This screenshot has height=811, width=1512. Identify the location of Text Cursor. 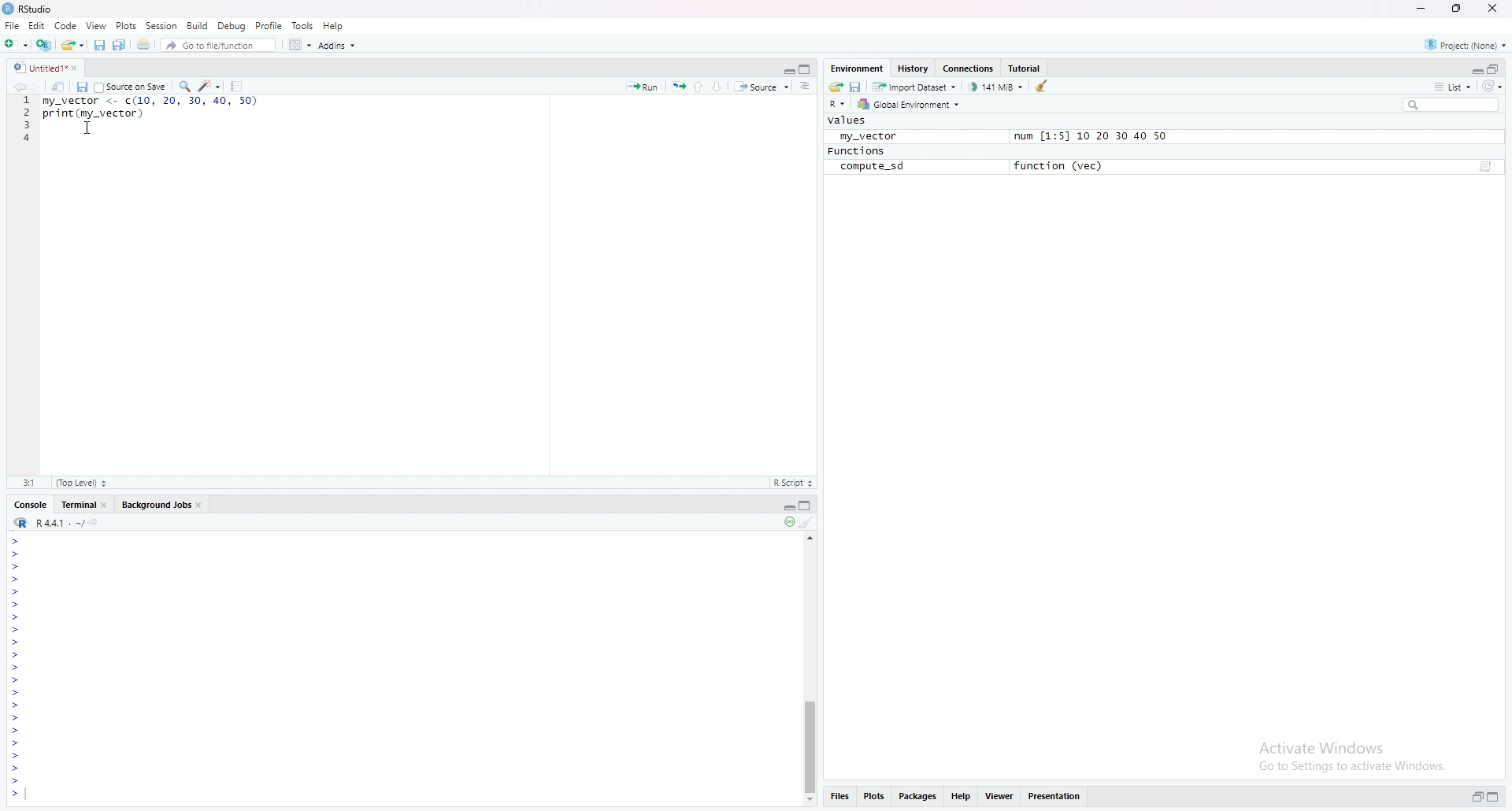
(90, 129).